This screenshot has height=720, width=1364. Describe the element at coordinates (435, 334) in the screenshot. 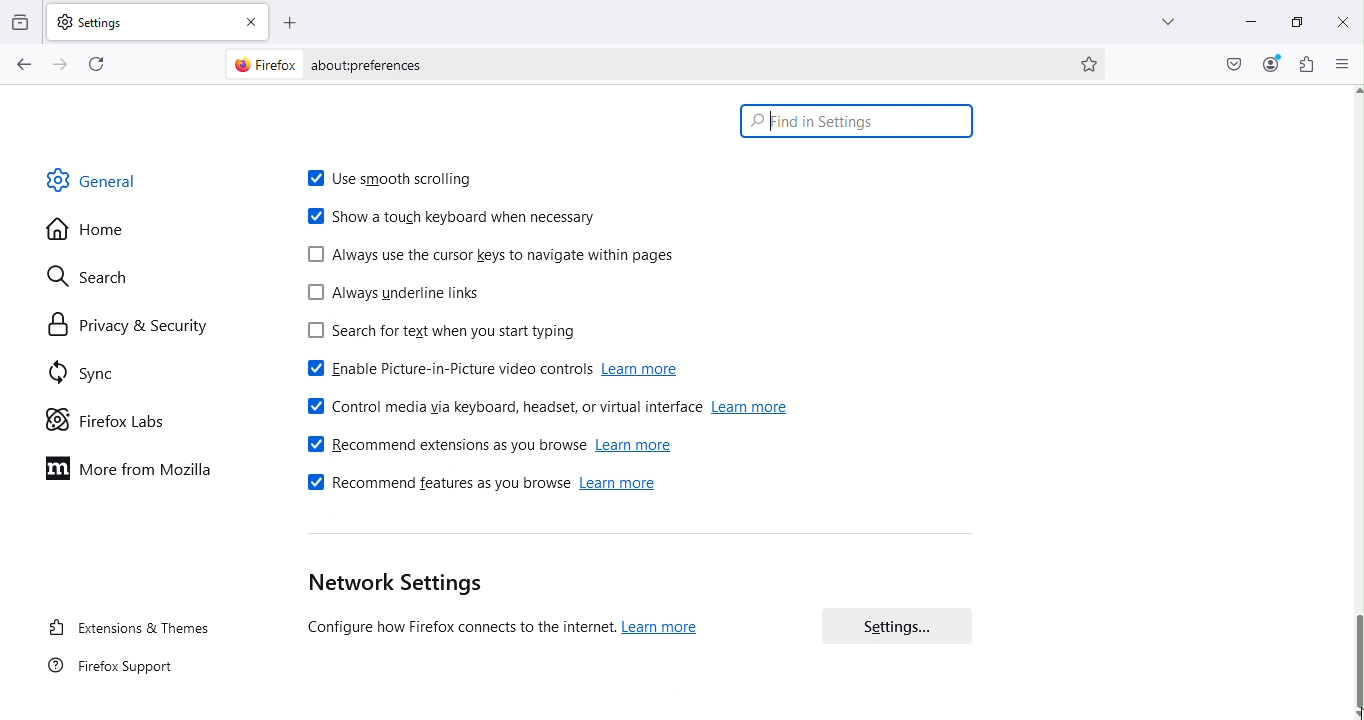

I see `Search for text when you start typing` at that location.